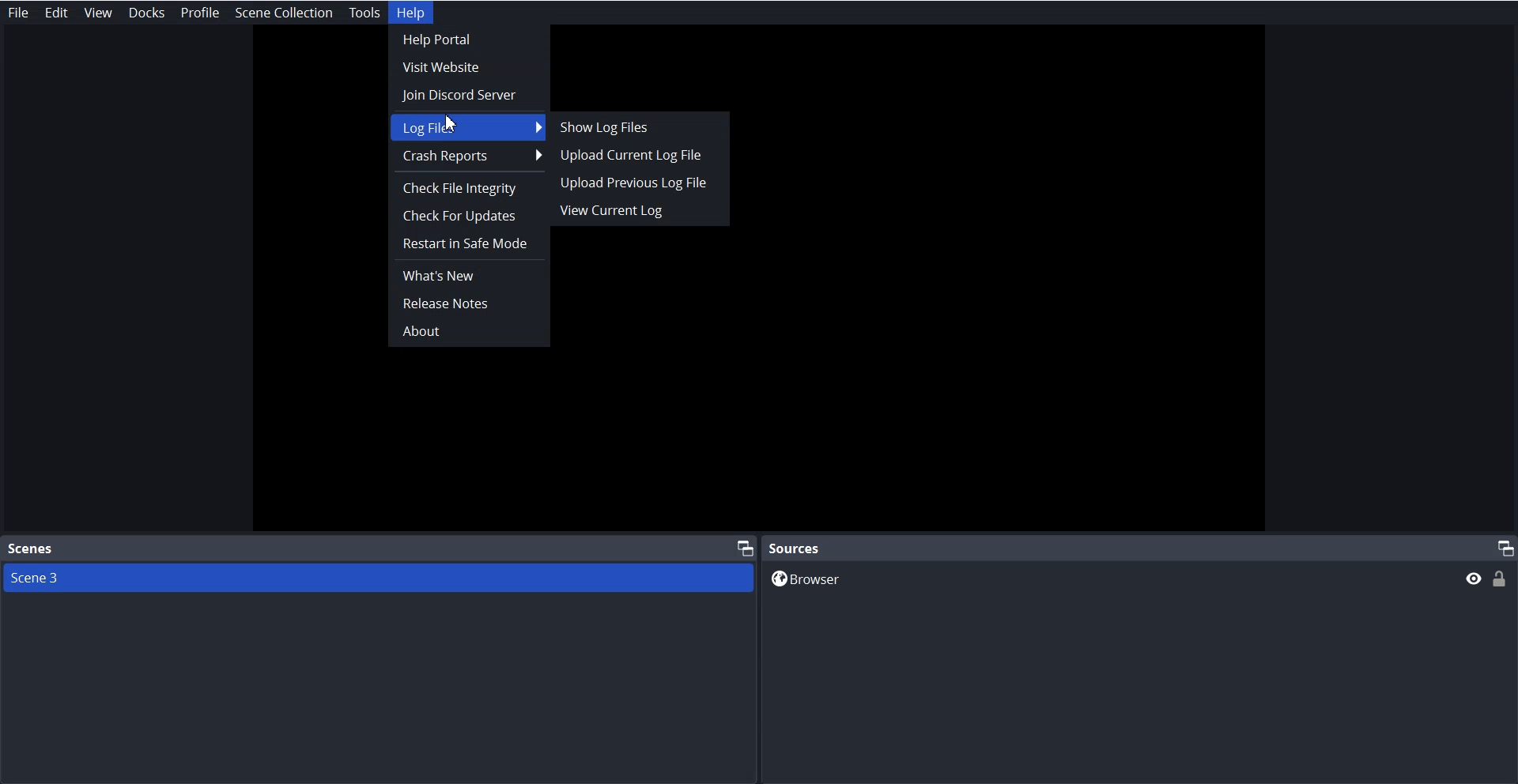 The image size is (1518, 784). What do you see at coordinates (635, 211) in the screenshot?
I see `View Current Log` at bounding box center [635, 211].